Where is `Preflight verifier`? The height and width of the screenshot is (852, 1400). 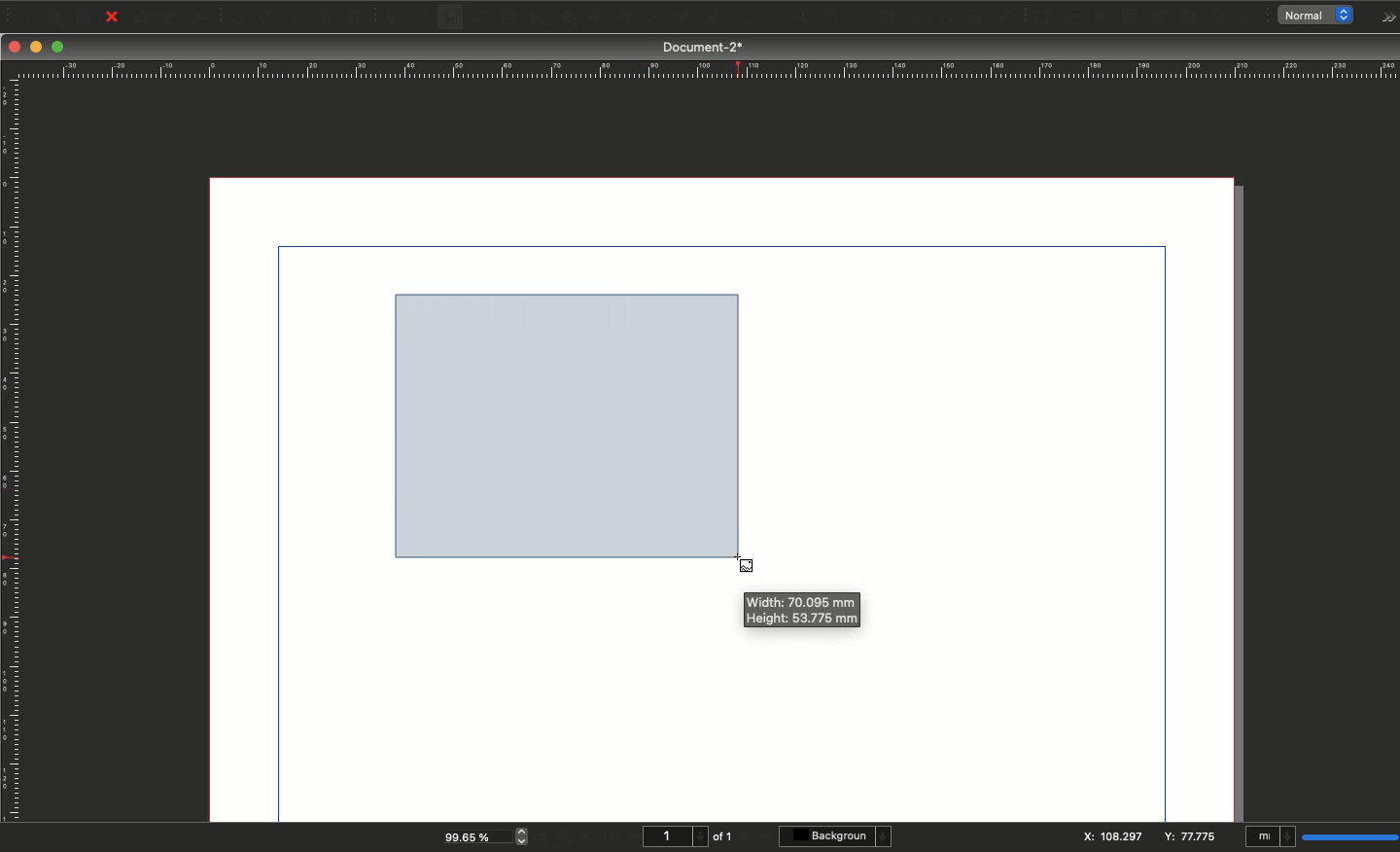 Preflight verifier is located at coordinates (172, 20).